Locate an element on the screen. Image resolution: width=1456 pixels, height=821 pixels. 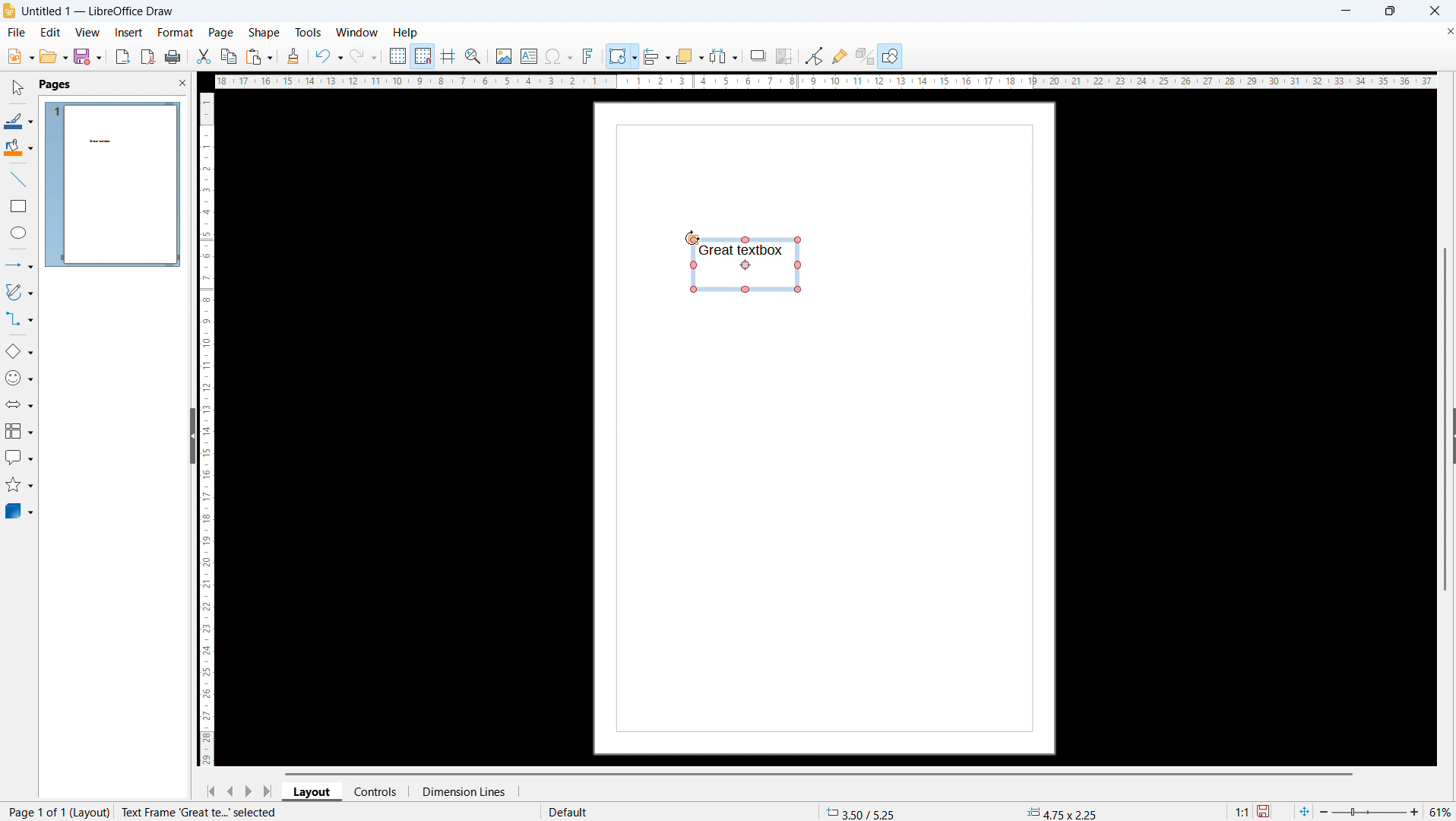
flowcharts is located at coordinates (18, 431).